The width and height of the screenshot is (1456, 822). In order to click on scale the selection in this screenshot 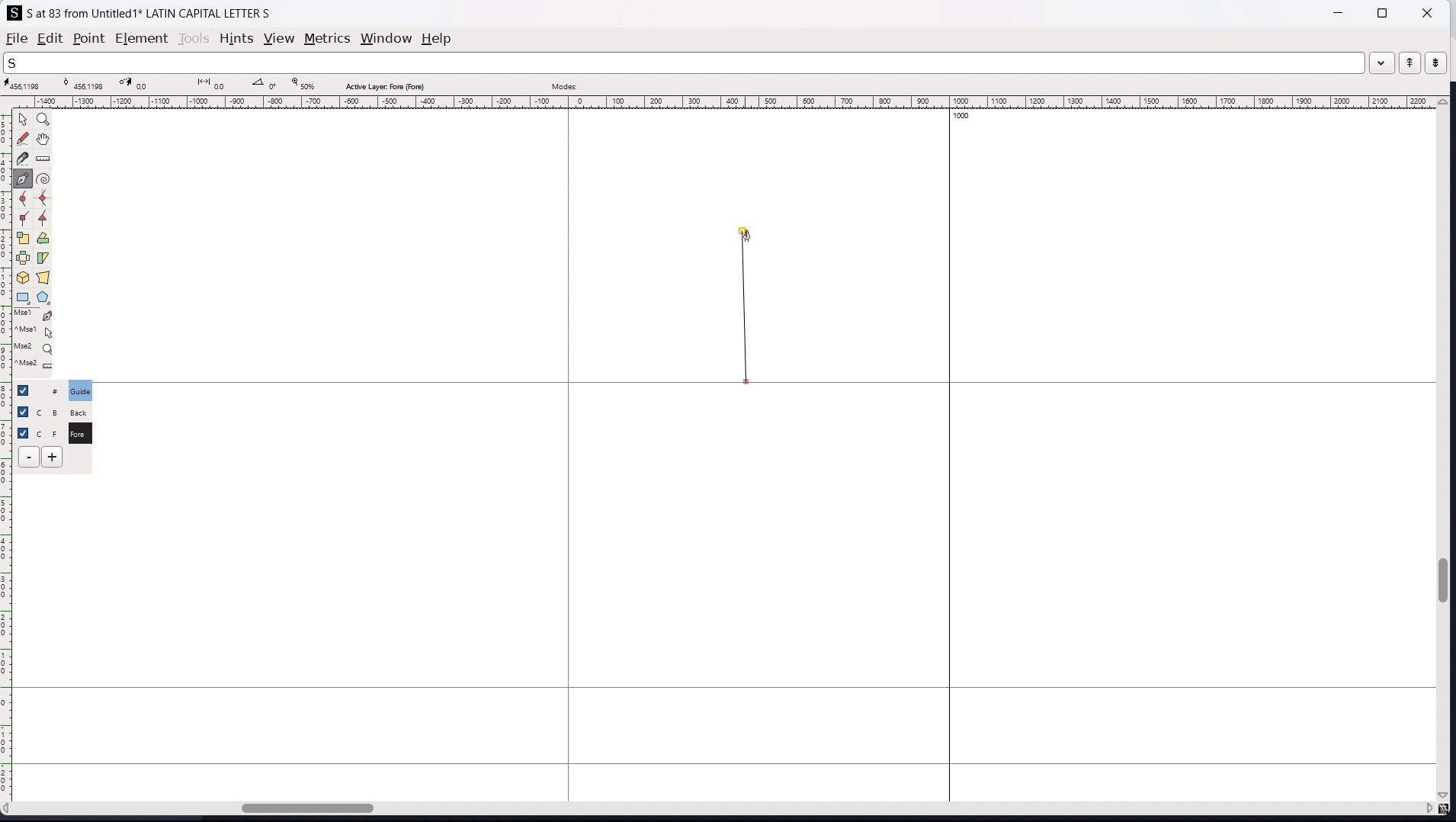, I will do `click(24, 239)`.